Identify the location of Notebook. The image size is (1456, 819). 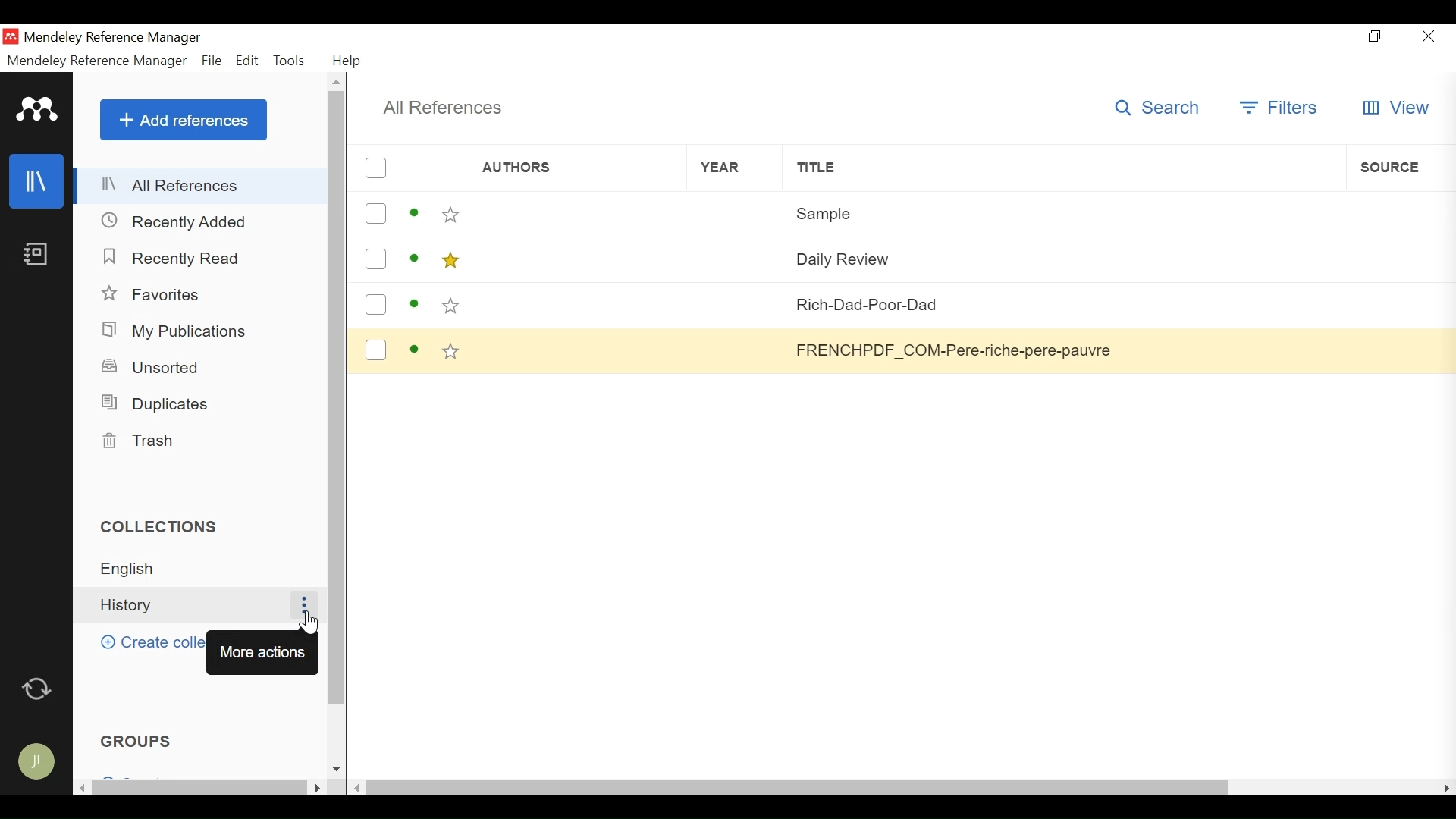
(36, 256).